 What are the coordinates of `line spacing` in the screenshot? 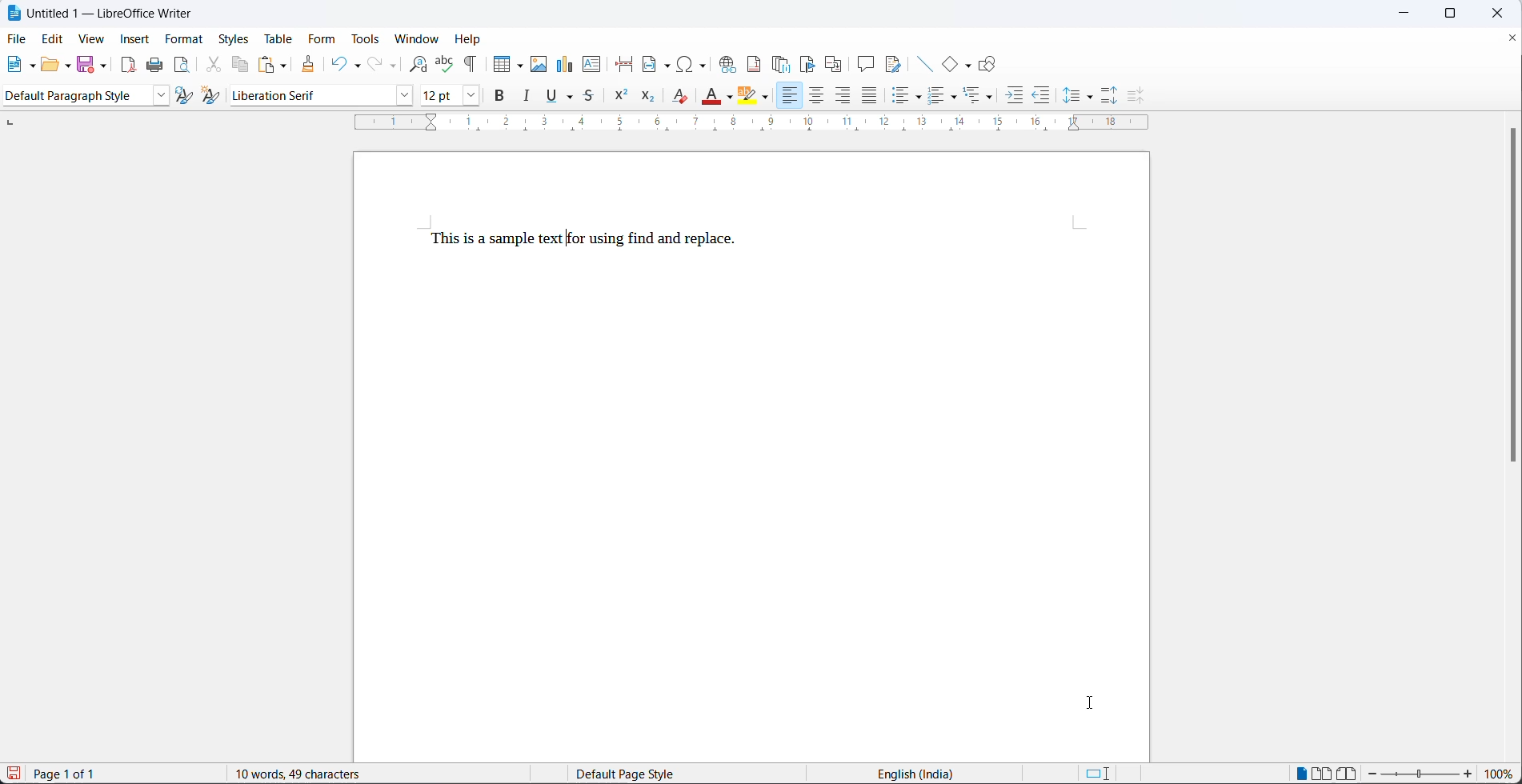 It's located at (1091, 98).